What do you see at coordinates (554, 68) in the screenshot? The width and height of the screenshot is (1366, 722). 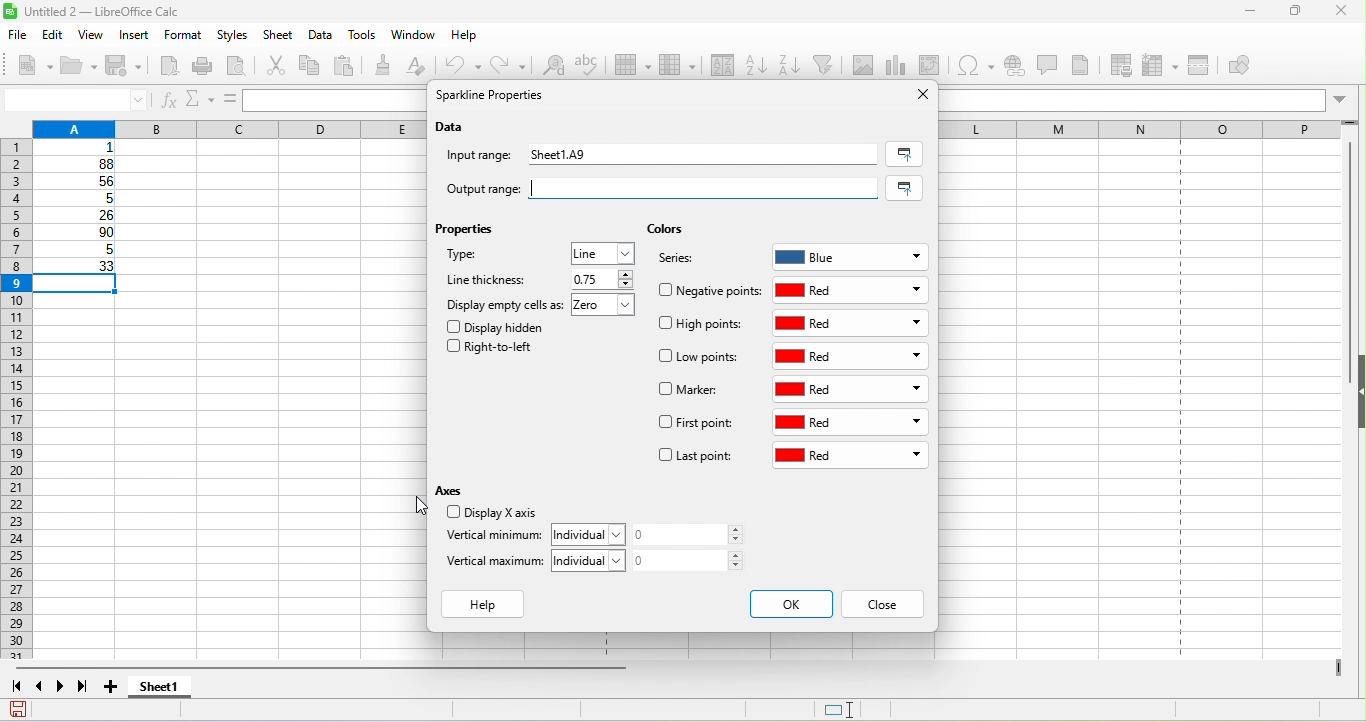 I see `find and replace` at bounding box center [554, 68].